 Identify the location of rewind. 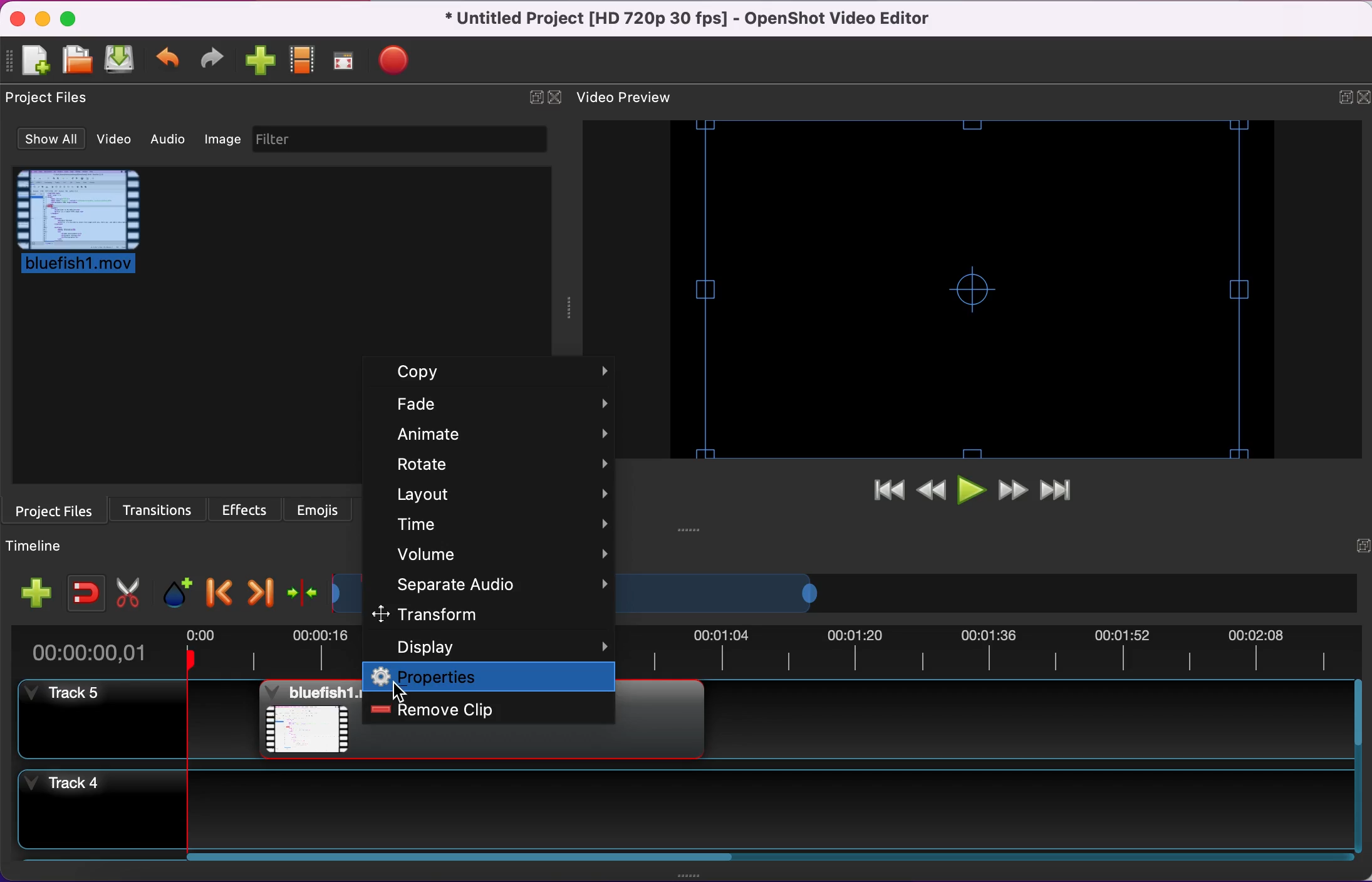
(930, 492).